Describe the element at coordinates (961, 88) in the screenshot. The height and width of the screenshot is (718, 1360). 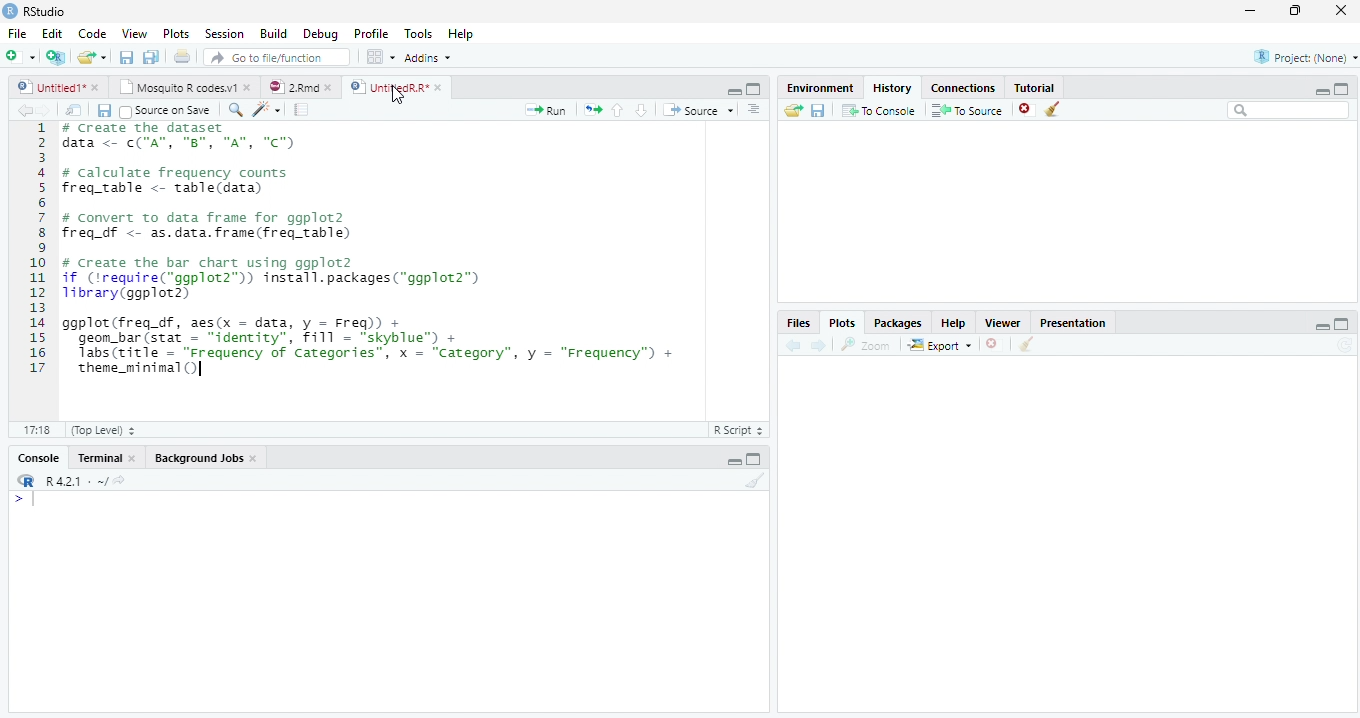
I see `Connections` at that location.